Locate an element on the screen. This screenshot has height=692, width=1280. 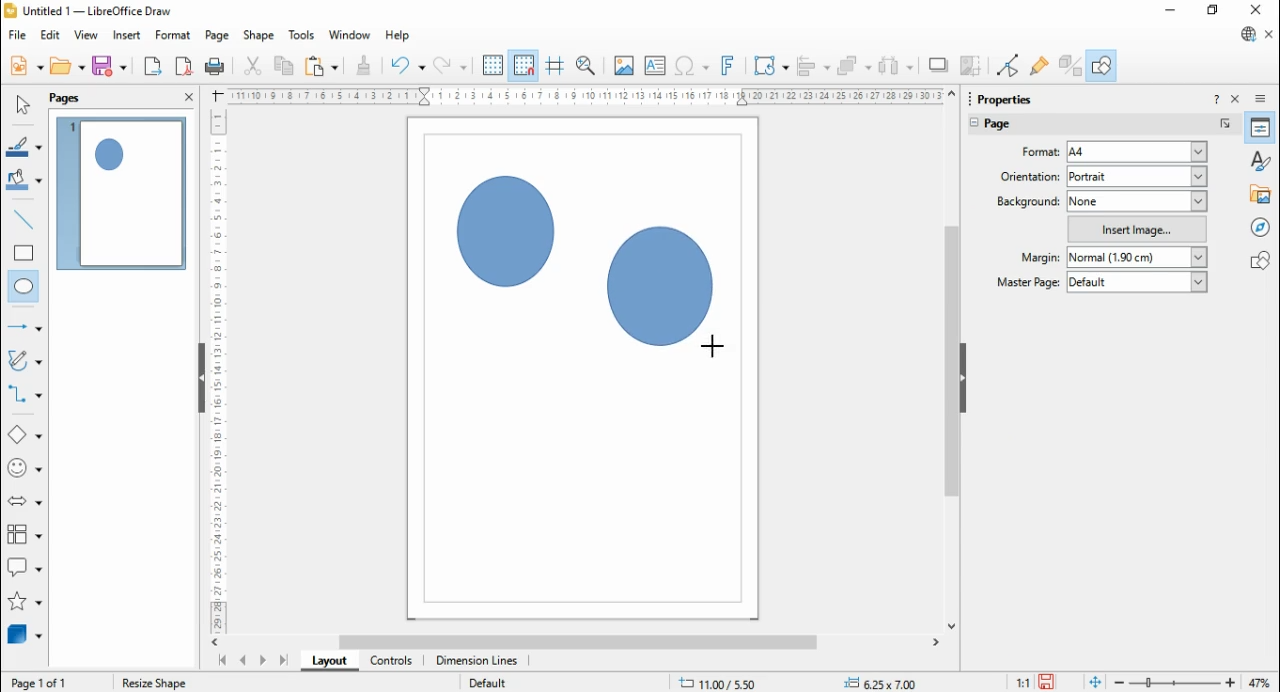
scroll bar is located at coordinates (582, 642).